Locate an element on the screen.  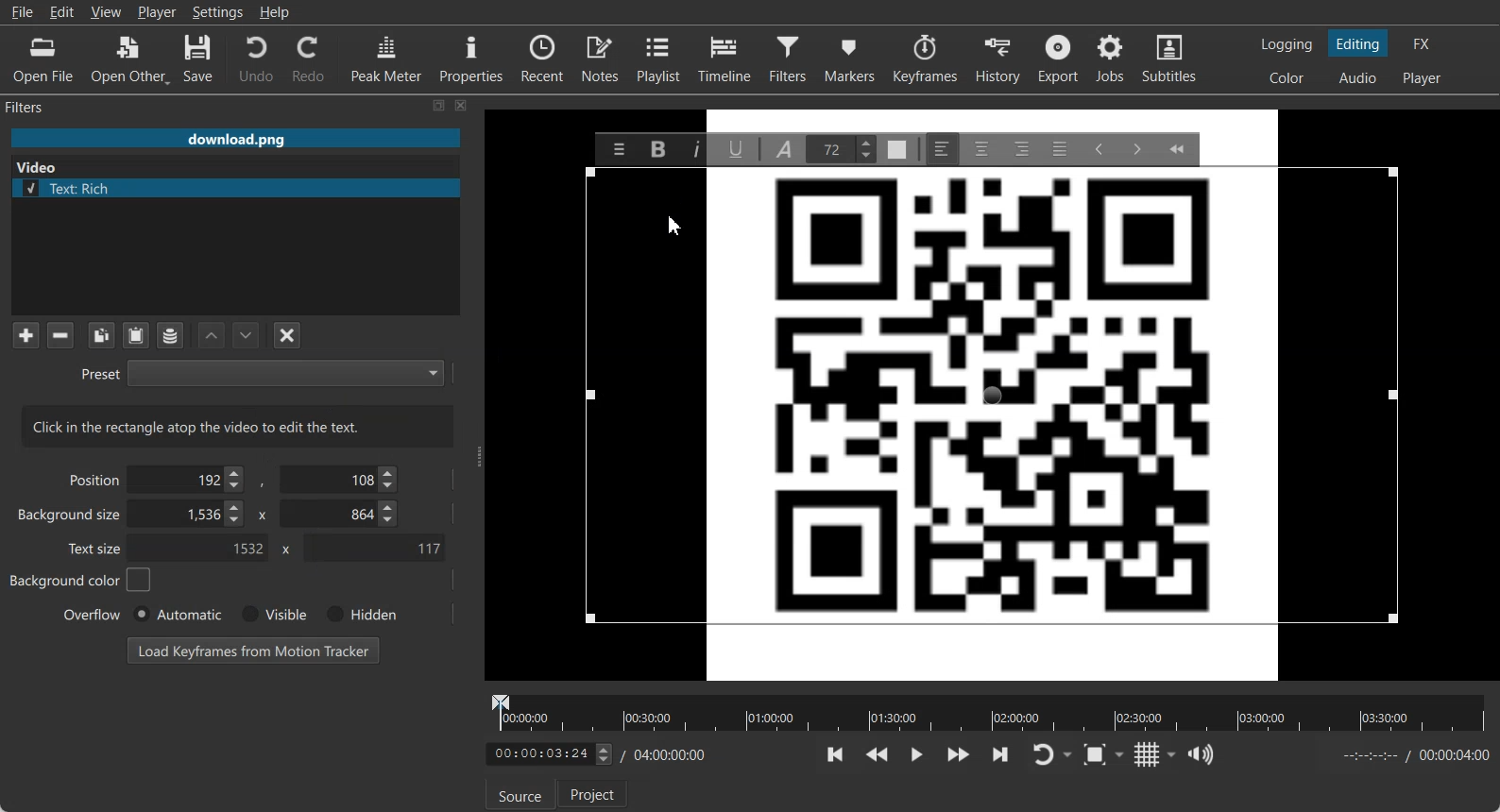
Text Size Y- Coordinate is located at coordinates (374, 547).